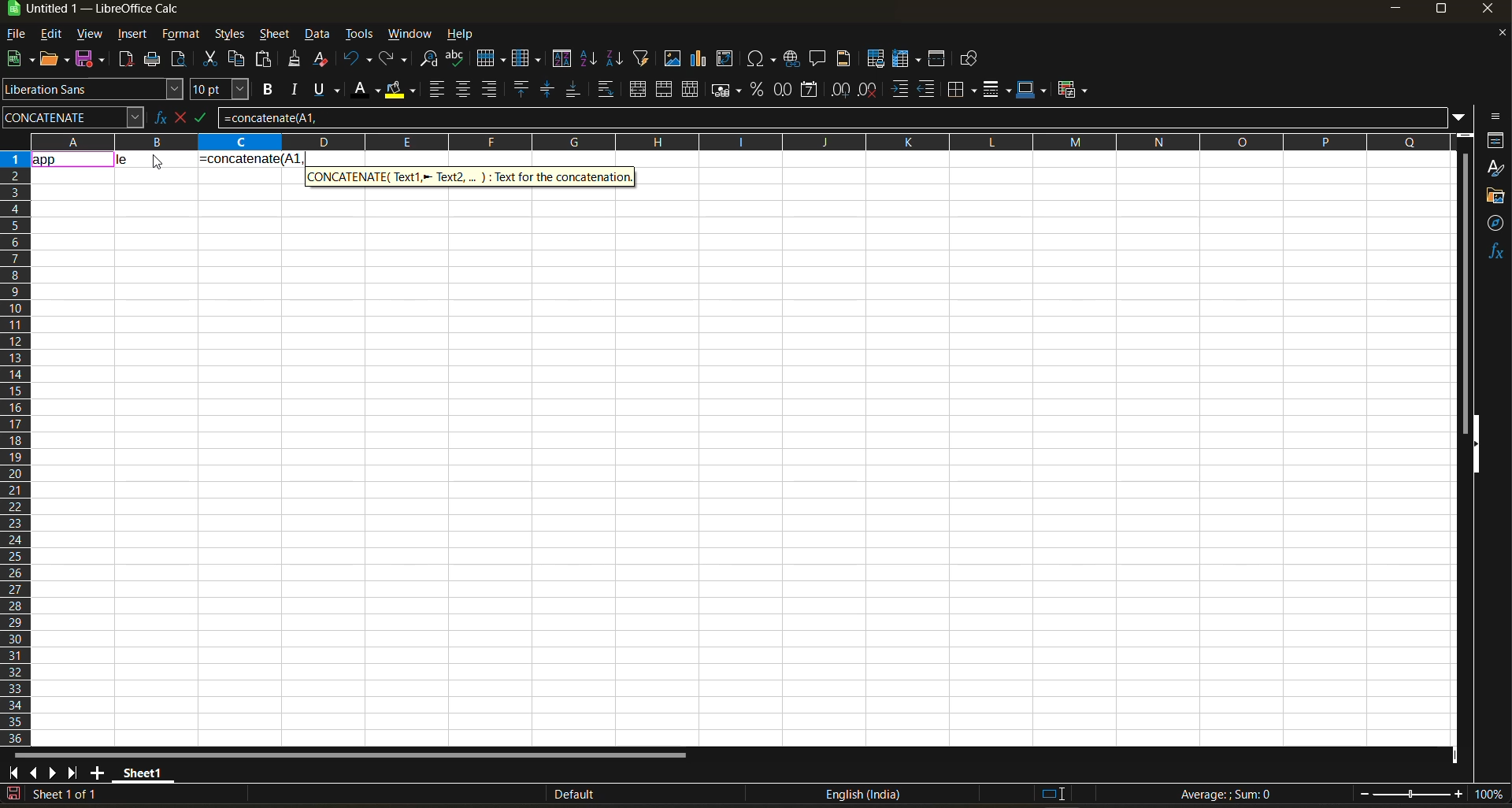 This screenshot has width=1512, height=808. I want to click on bold, so click(265, 90).